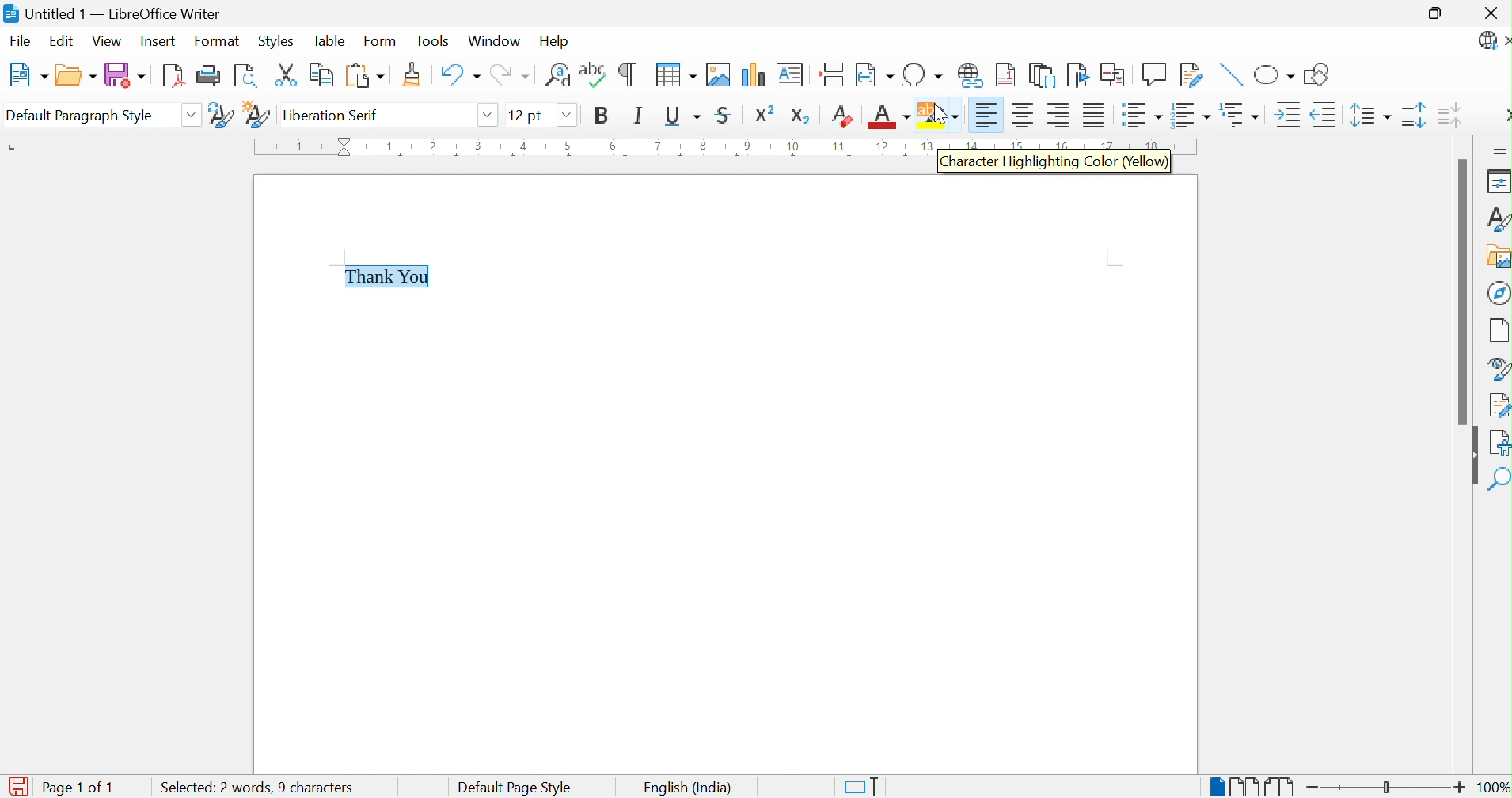  What do you see at coordinates (63, 42) in the screenshot?
I see `Edit` at bounding box center [63, 42].